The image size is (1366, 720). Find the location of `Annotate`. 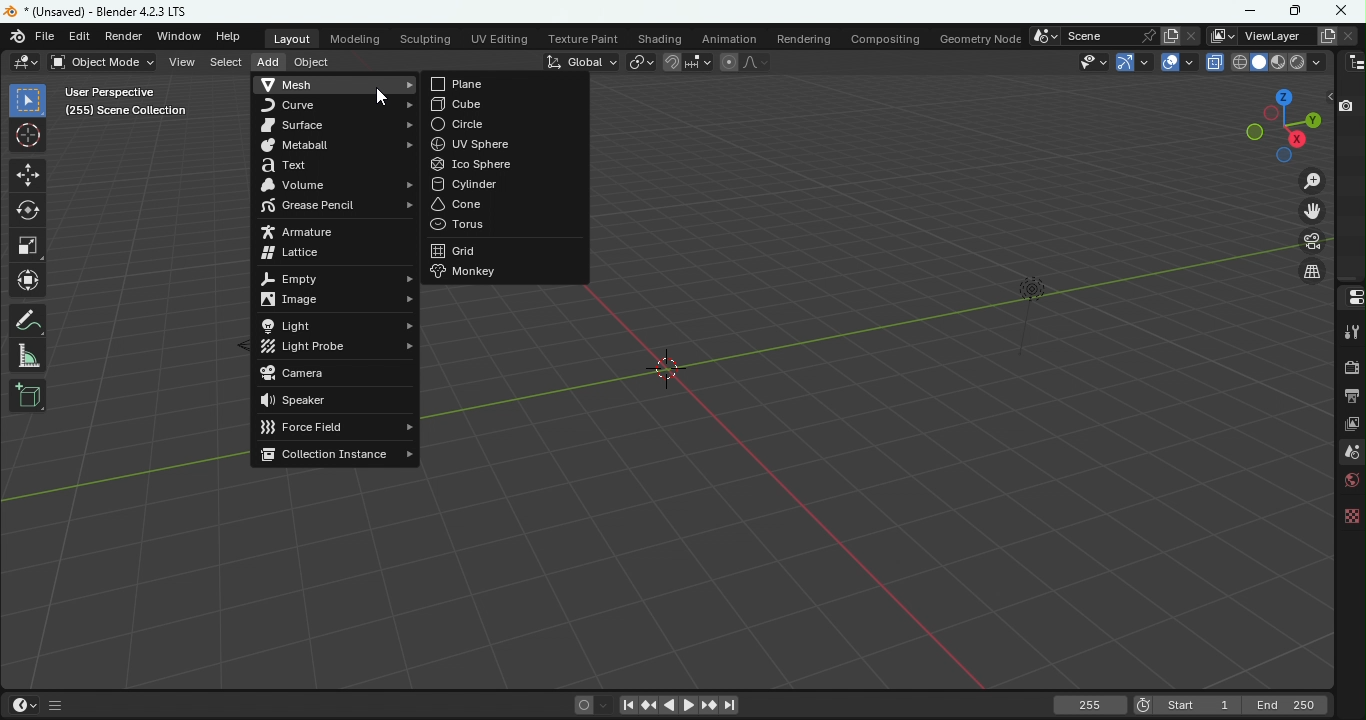

Annotate is located at coordinates (30, 319).